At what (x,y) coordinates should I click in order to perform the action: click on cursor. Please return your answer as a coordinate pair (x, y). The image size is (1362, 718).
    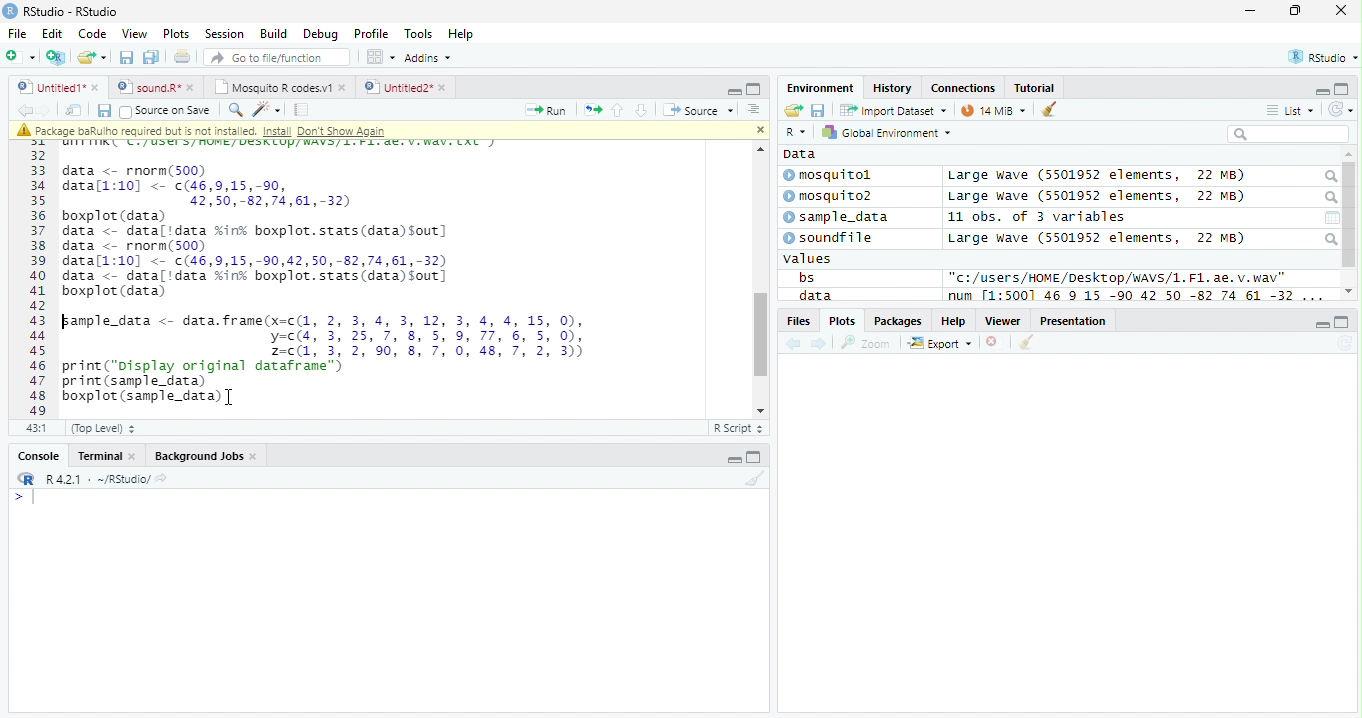
    Looking at the image, I should click on (231, 398).